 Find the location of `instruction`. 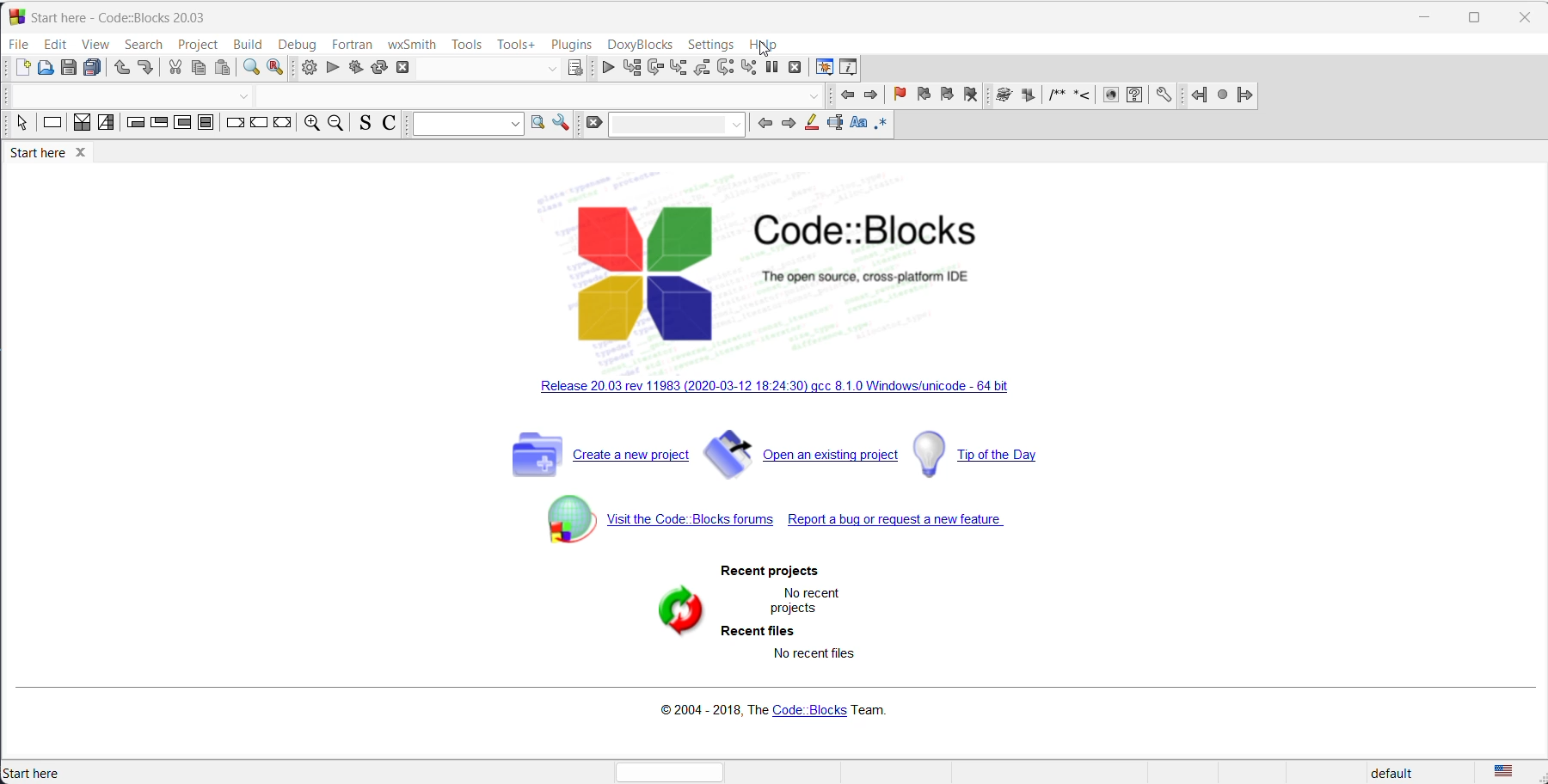

instruction is located at coordinates (49, 124).